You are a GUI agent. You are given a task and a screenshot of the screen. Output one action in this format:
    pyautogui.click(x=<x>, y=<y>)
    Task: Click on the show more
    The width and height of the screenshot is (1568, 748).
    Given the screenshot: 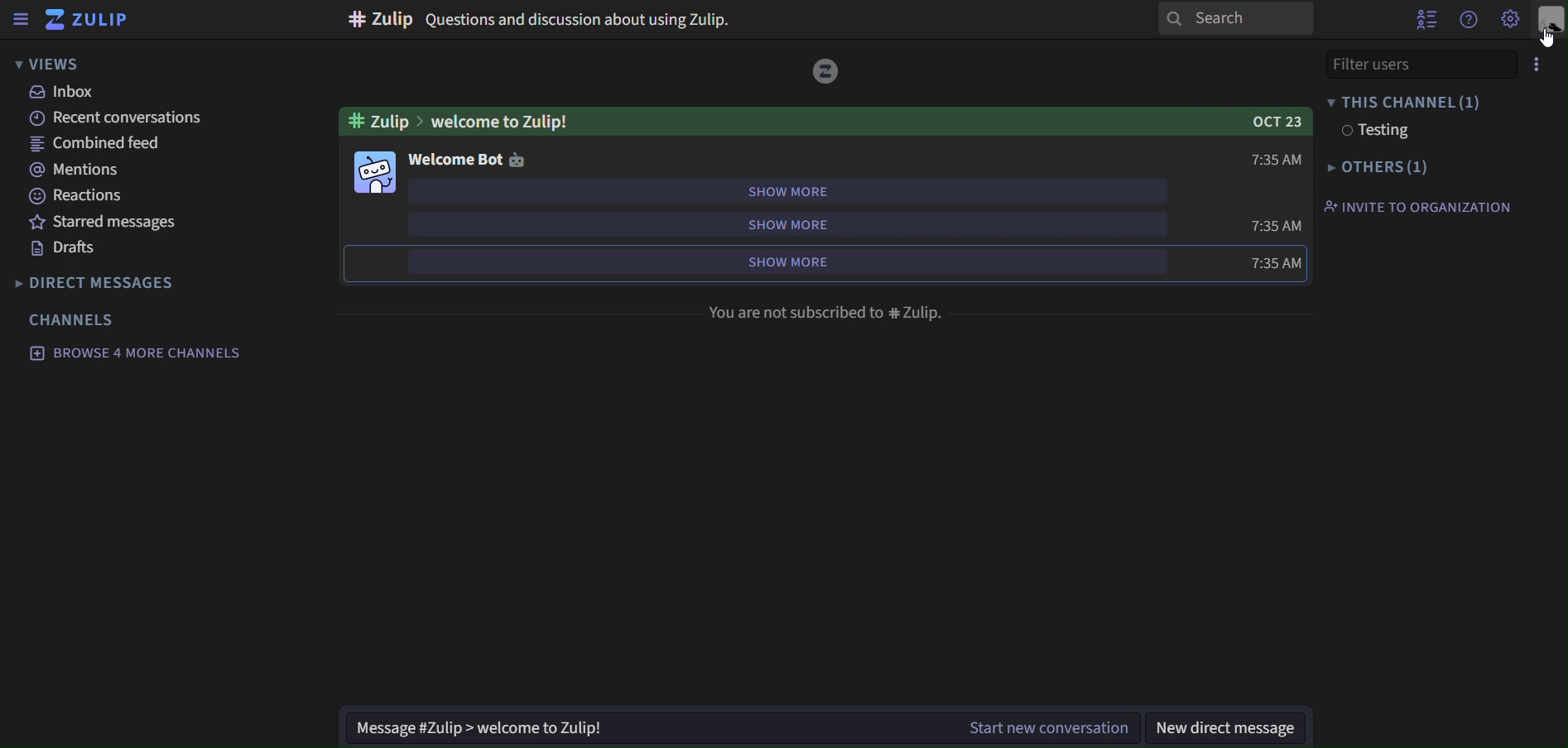 What is the action you would take?
    pyautogui.click(x=800, y=263)
    